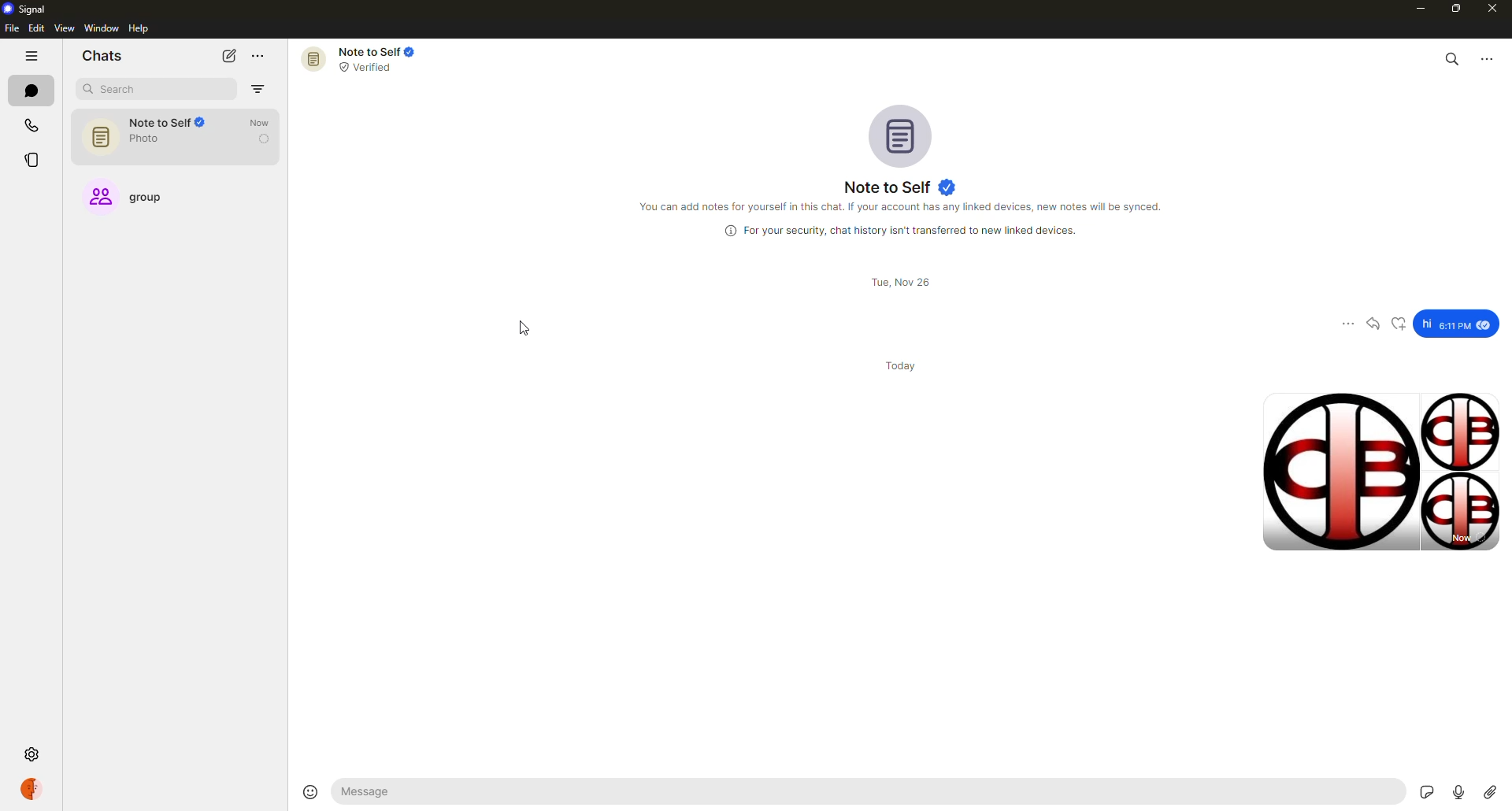 The image size is (1512, 811). Describe the element at coordinates (31, 10) in the screenshot. I see `signal` at that location.